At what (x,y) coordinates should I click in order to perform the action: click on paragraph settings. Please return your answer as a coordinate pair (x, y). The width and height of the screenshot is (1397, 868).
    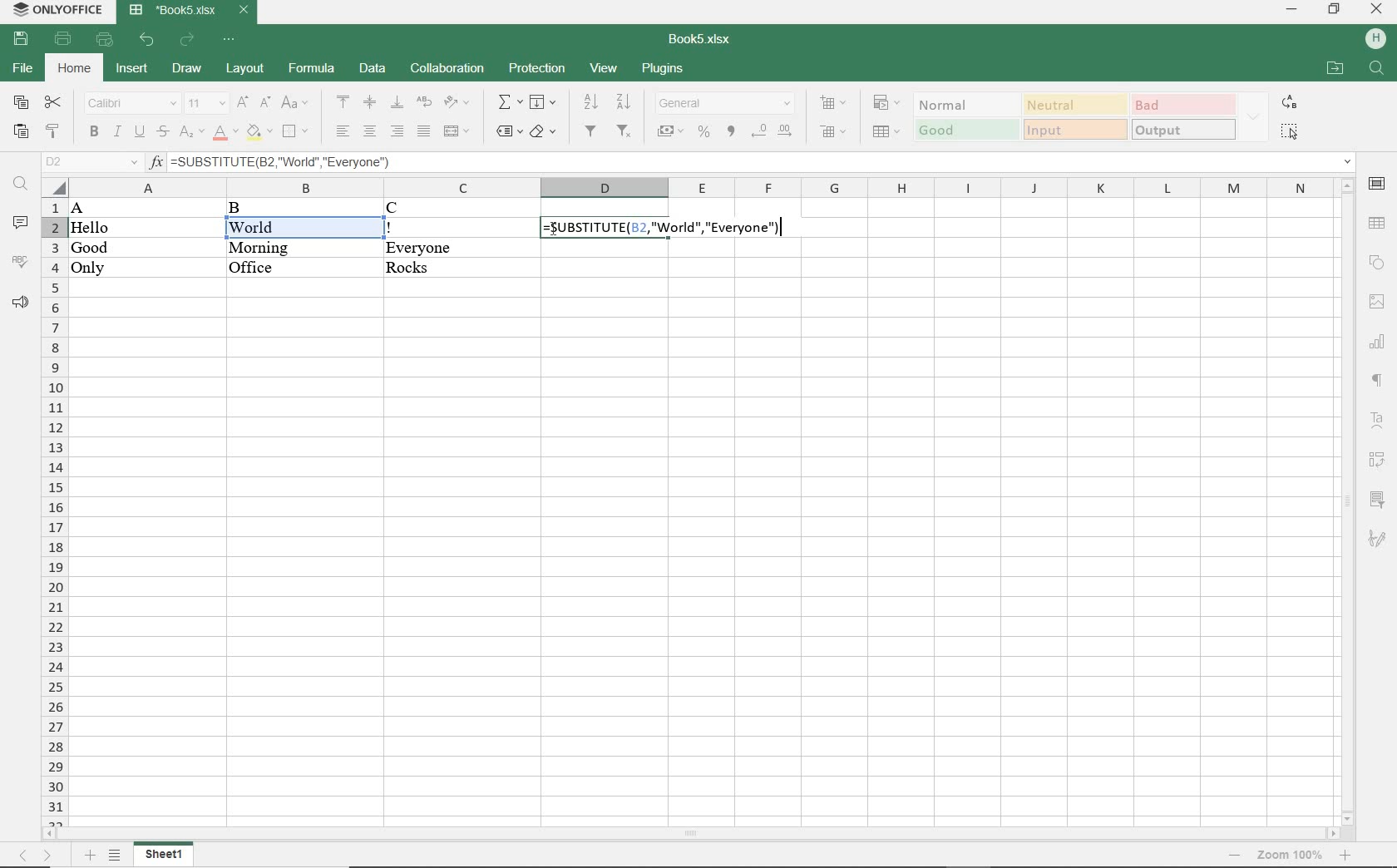
    Looking at the image, I should click on (1378, 381).